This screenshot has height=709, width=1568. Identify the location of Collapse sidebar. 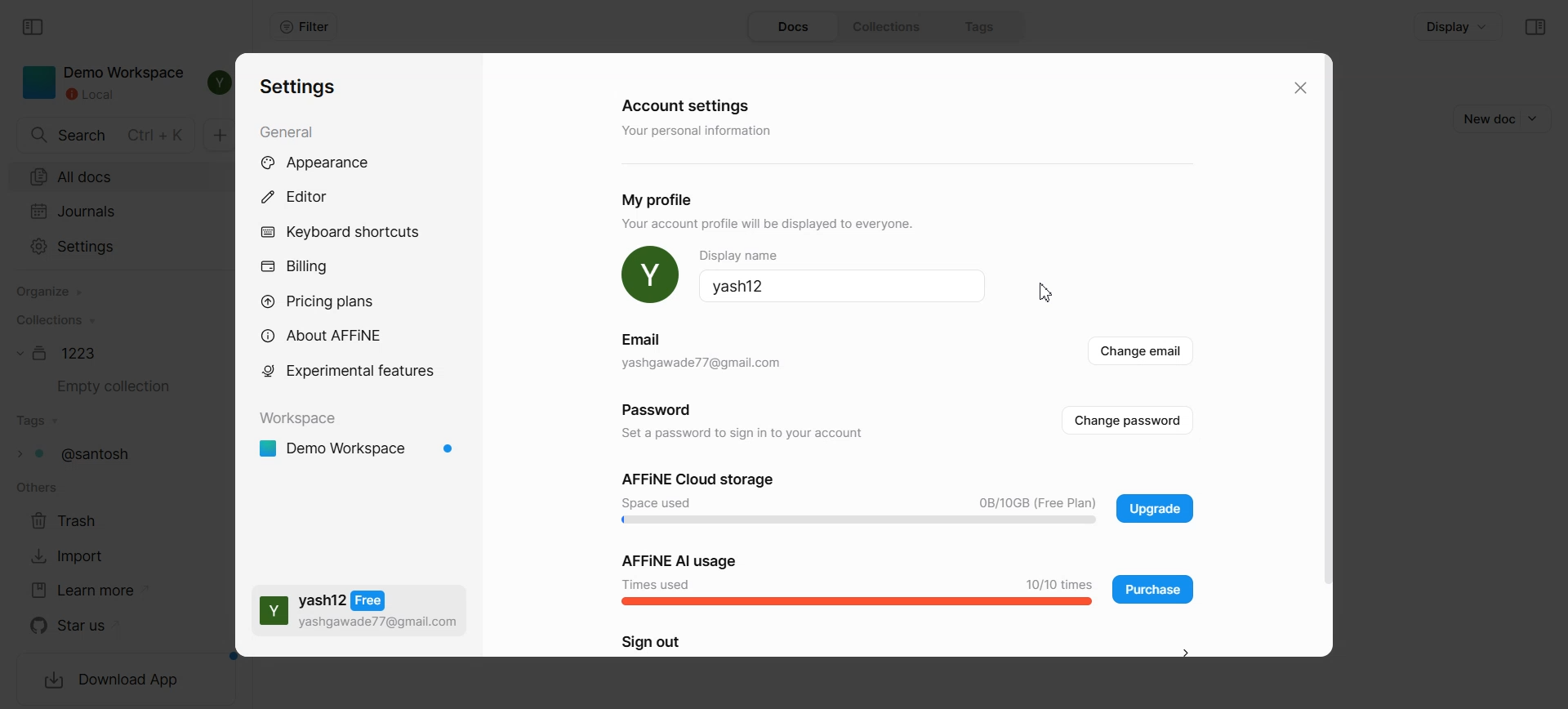
(1535, 27).